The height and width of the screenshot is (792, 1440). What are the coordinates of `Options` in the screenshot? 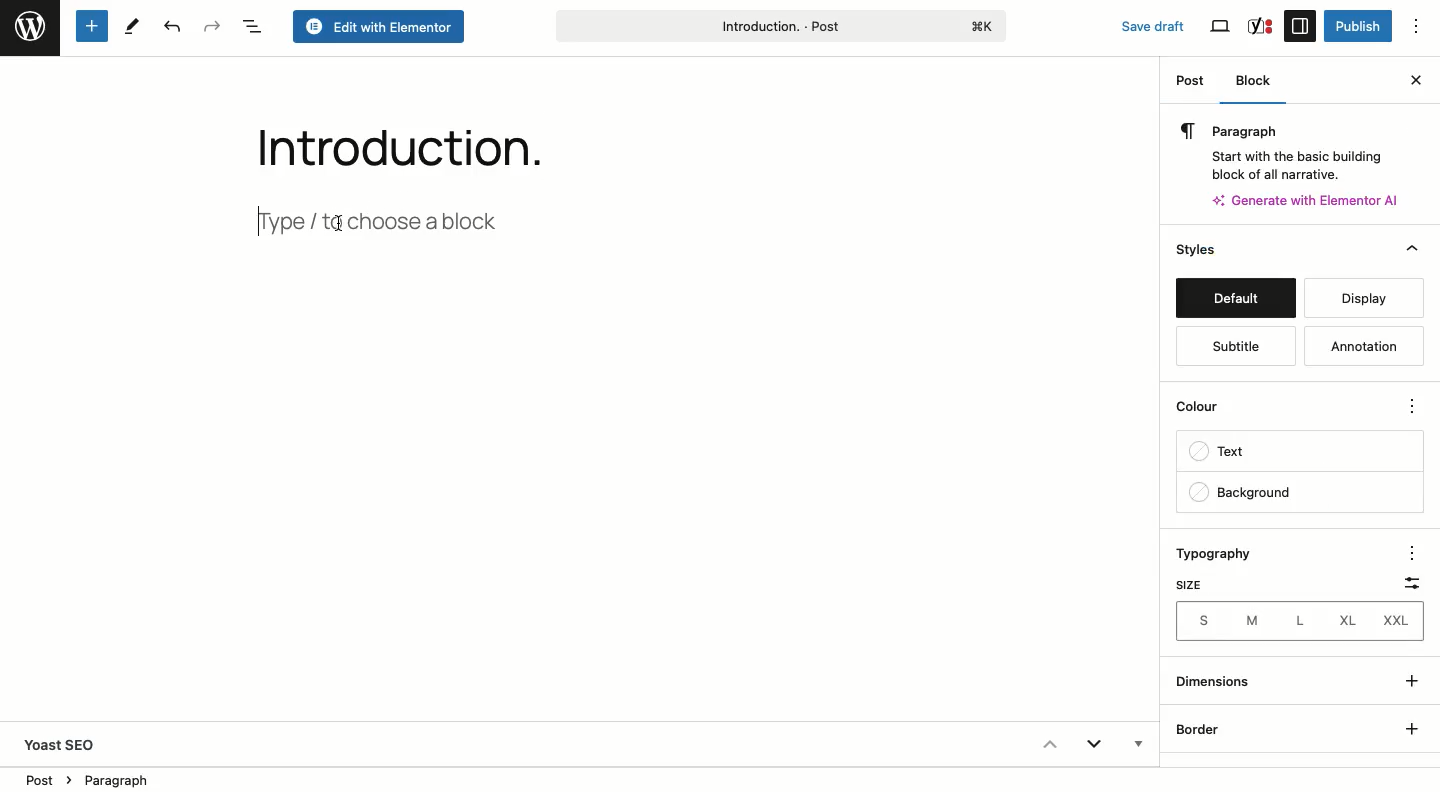 It's located at (1425, 27).